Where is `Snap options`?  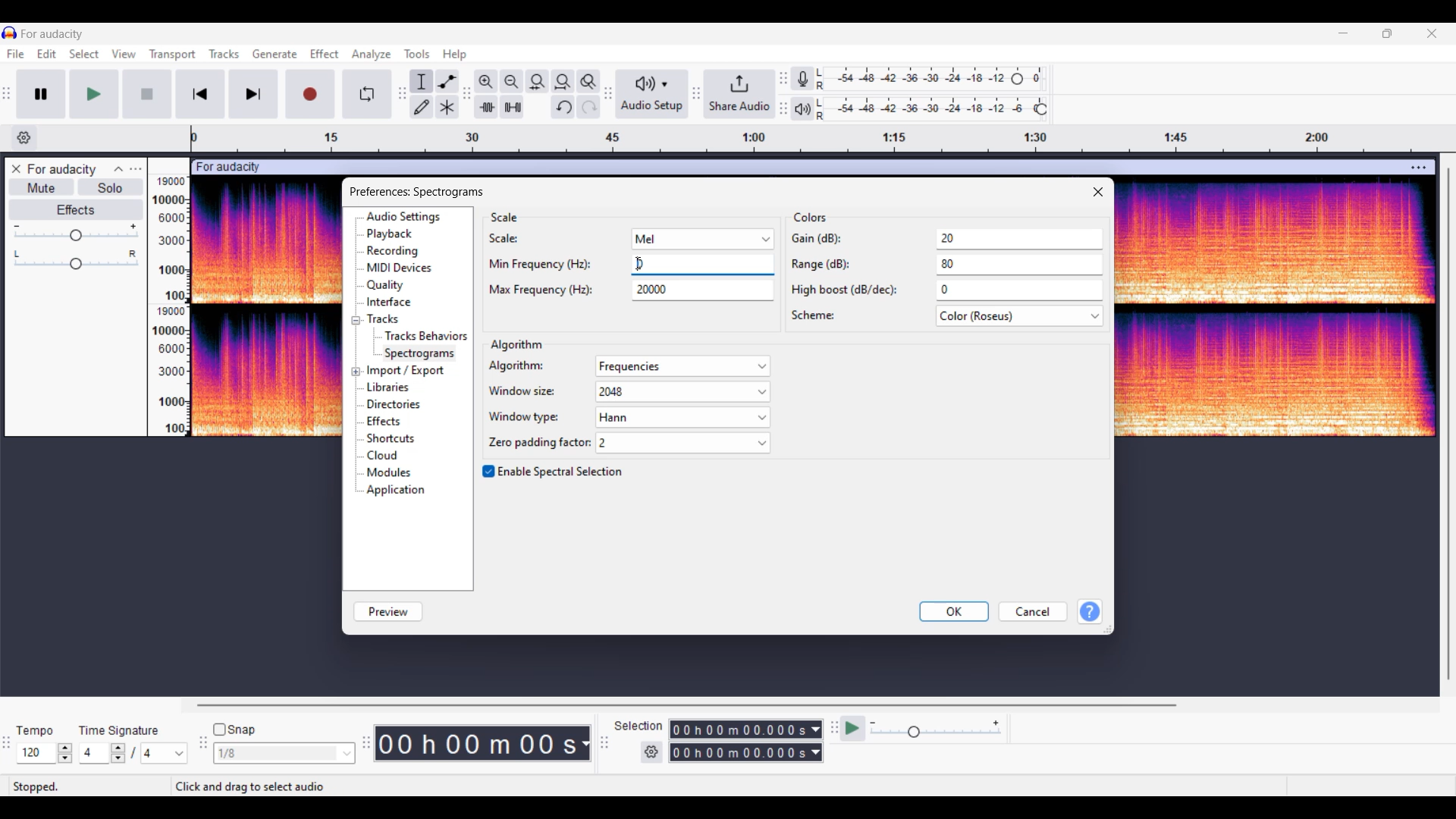
Snap options is located at coordinates (284, 753).